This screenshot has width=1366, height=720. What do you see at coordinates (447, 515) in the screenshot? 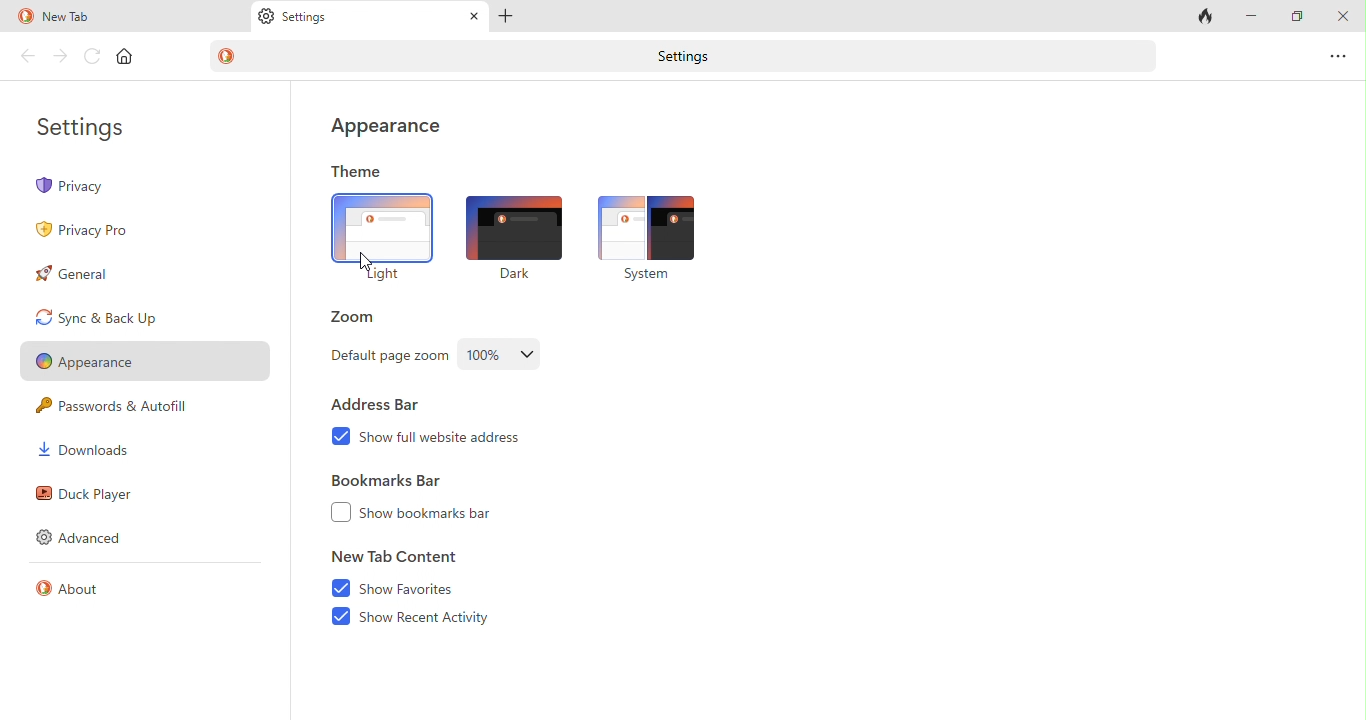
I see `show bookmark` at bounding box center [447, 515].